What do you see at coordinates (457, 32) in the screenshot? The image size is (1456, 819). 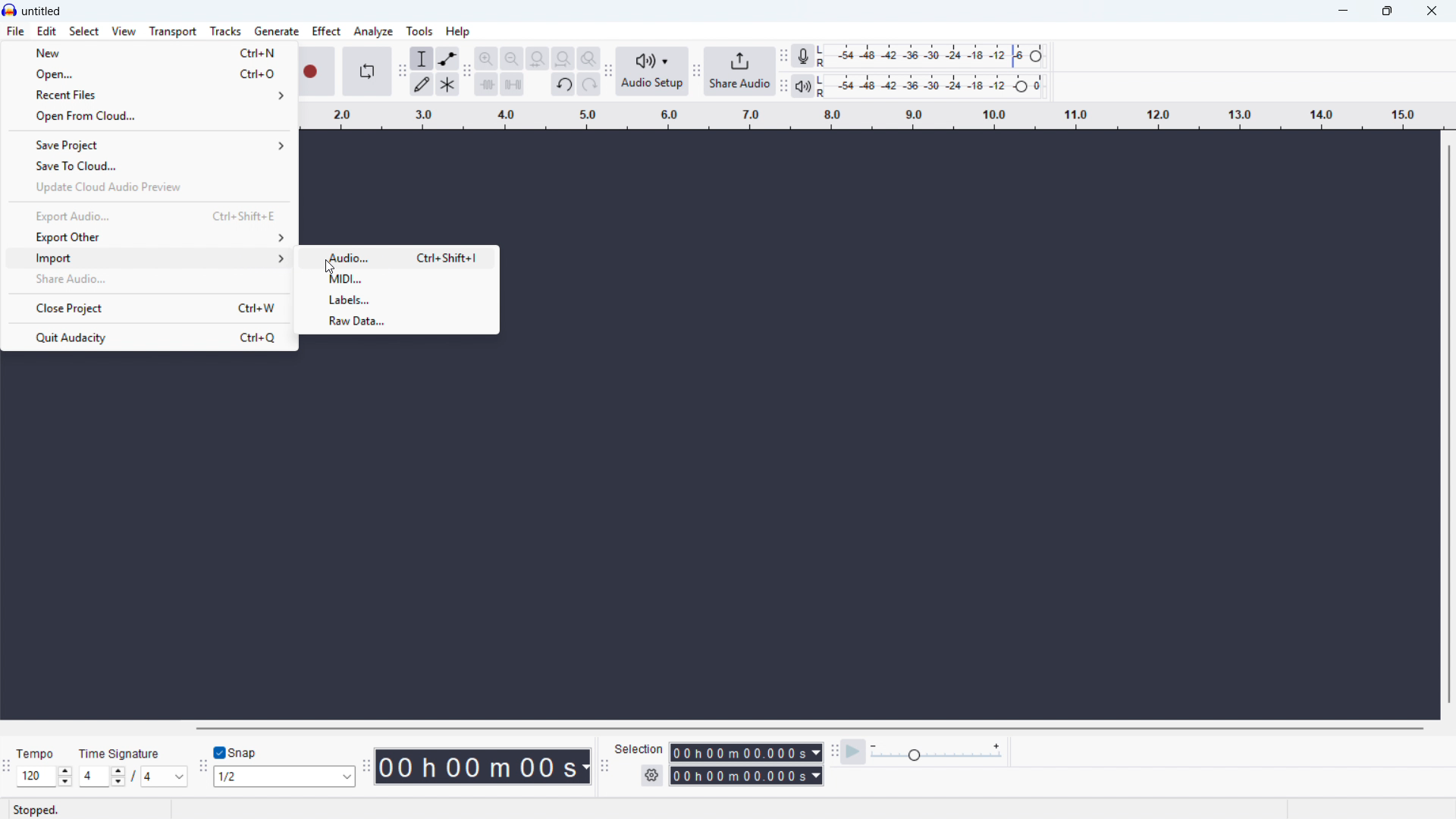 I see `help ` at bounding box center [457, 32].